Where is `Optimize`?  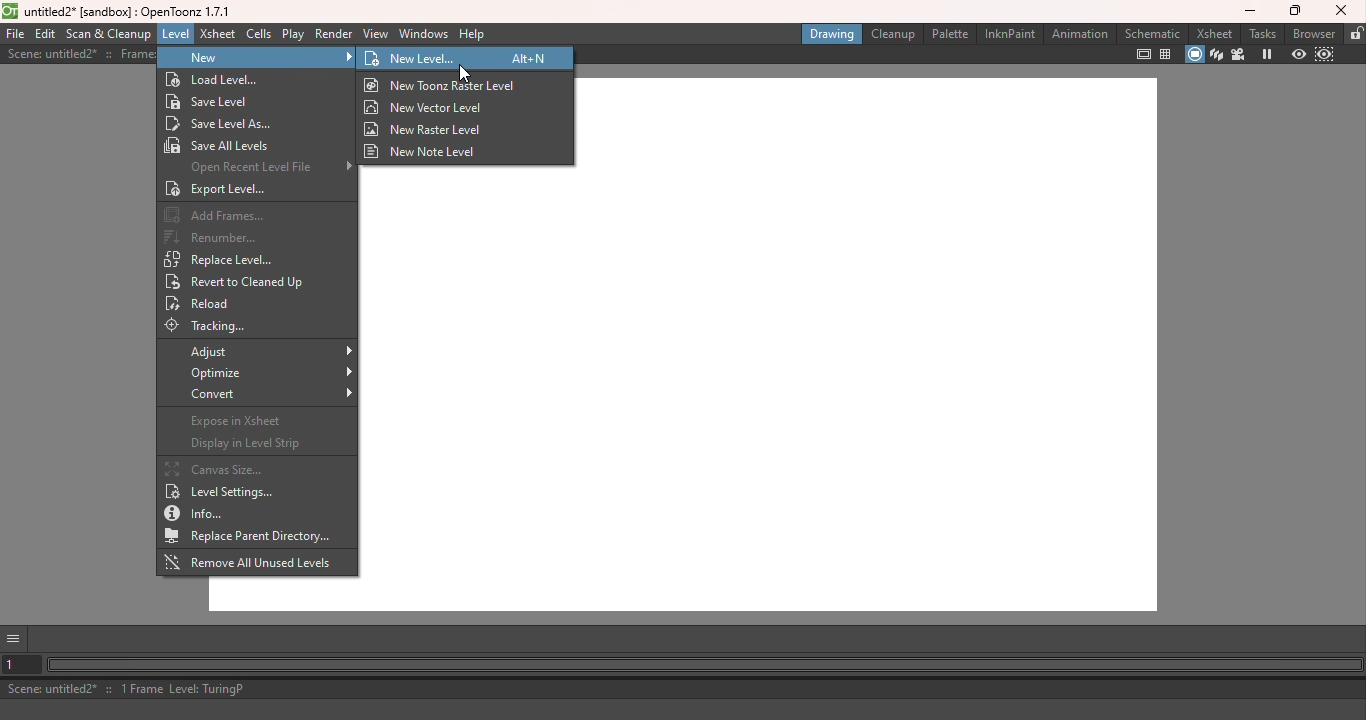 Optimize is located at coordinates (266, 374).